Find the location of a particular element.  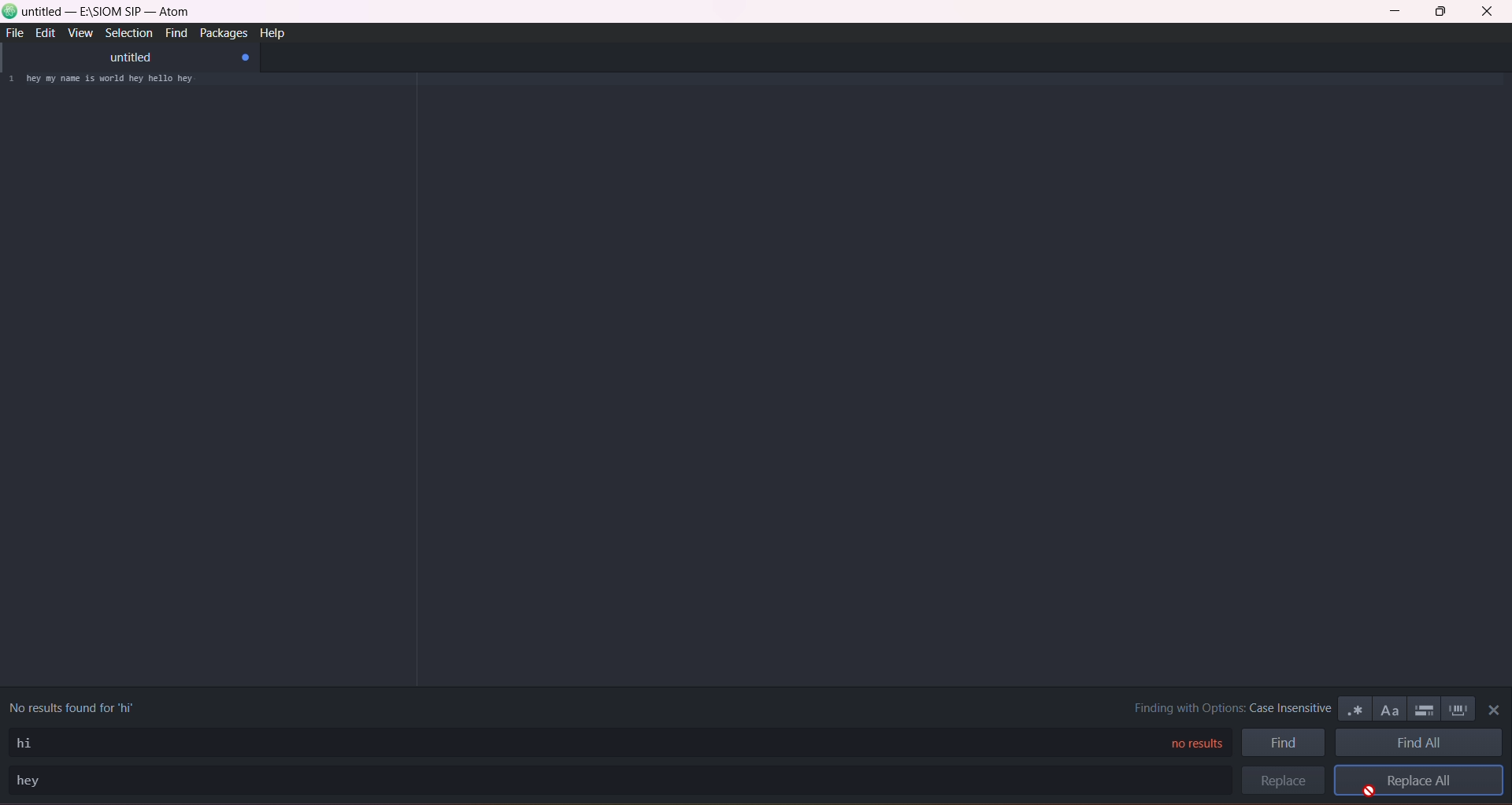

find text is located at coordinates (32, 742).